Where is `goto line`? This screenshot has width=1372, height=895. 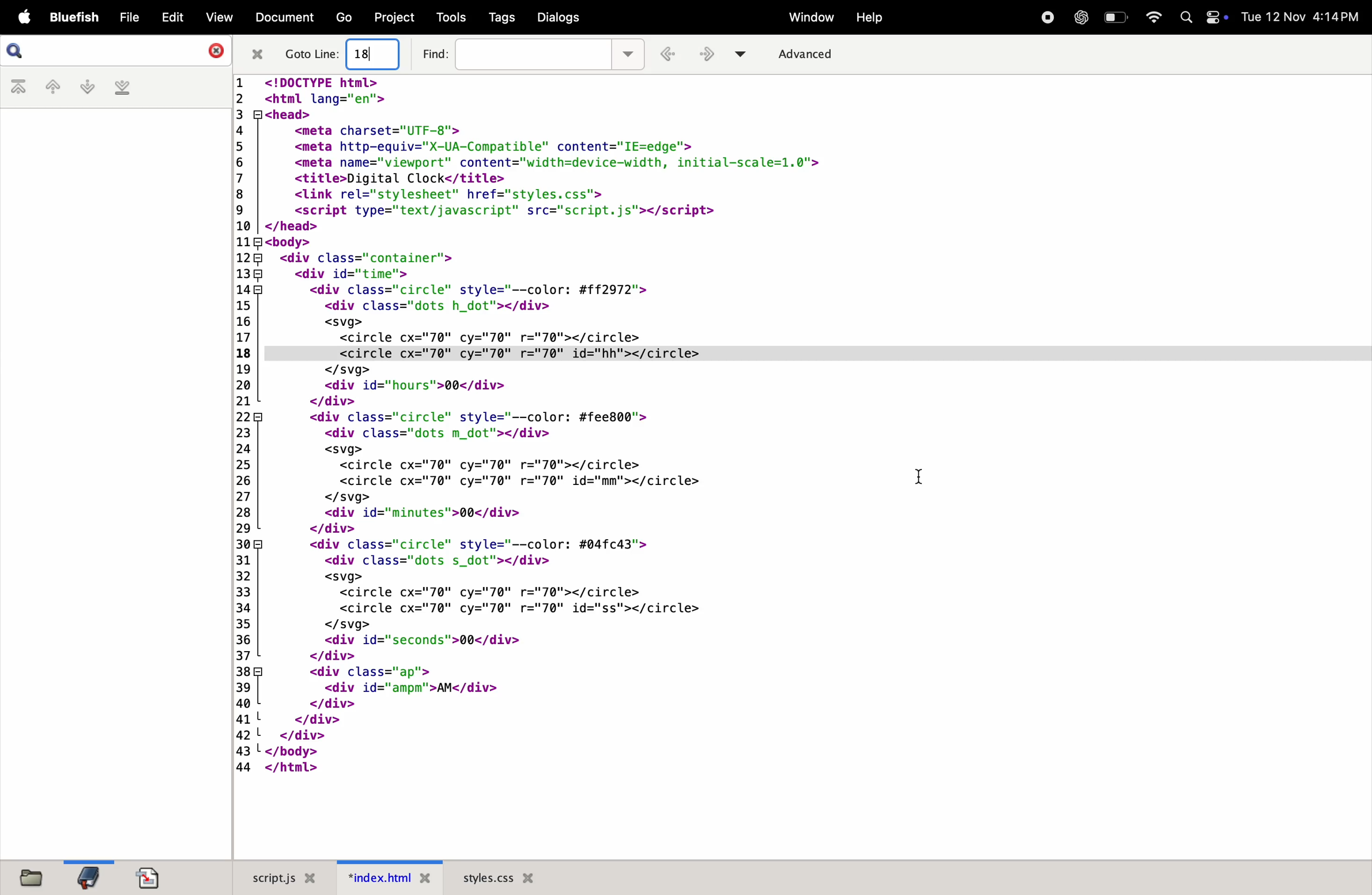
goto line is located at coordinates (312, 54).